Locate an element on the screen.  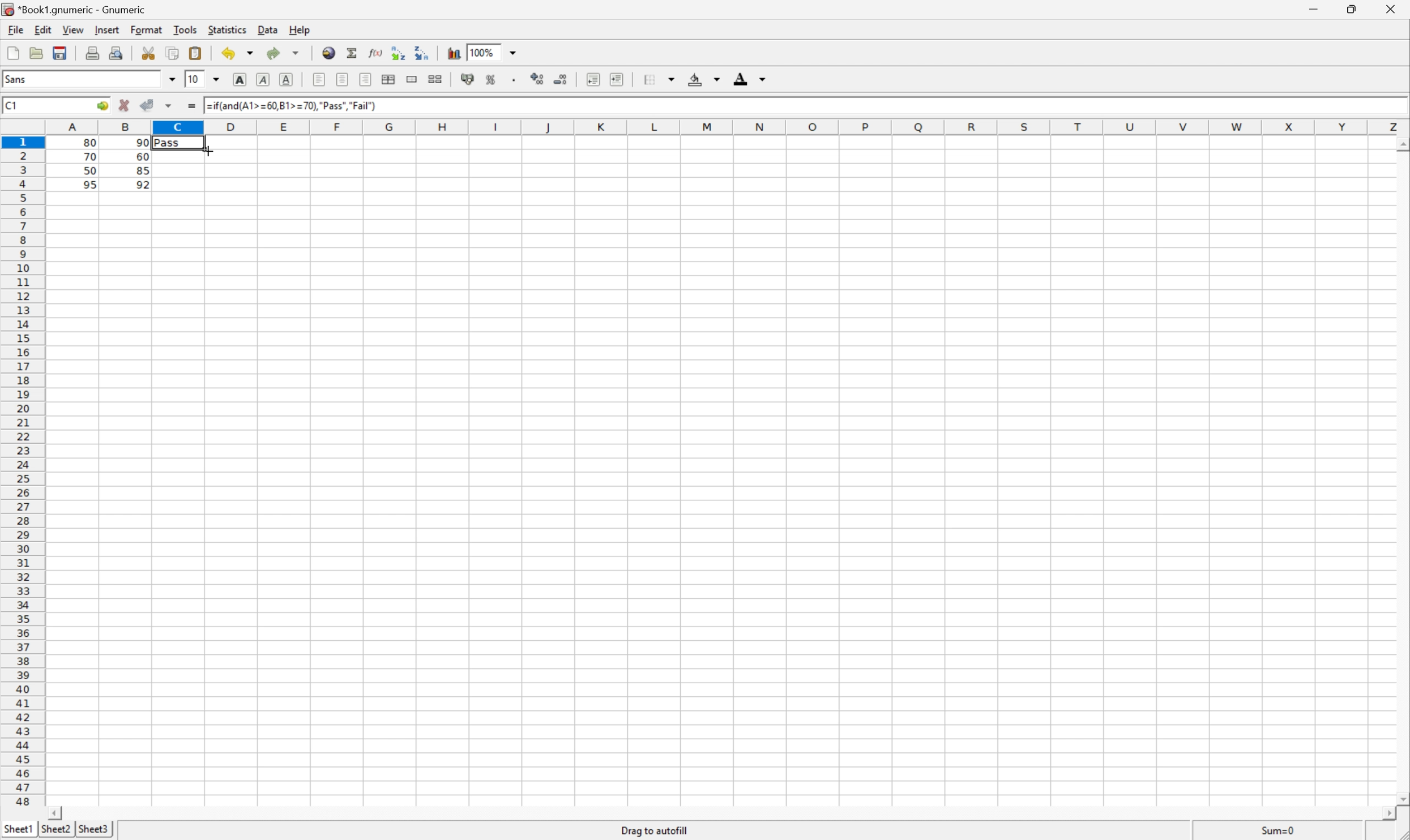
Borders is located at coordinates (659, 76).